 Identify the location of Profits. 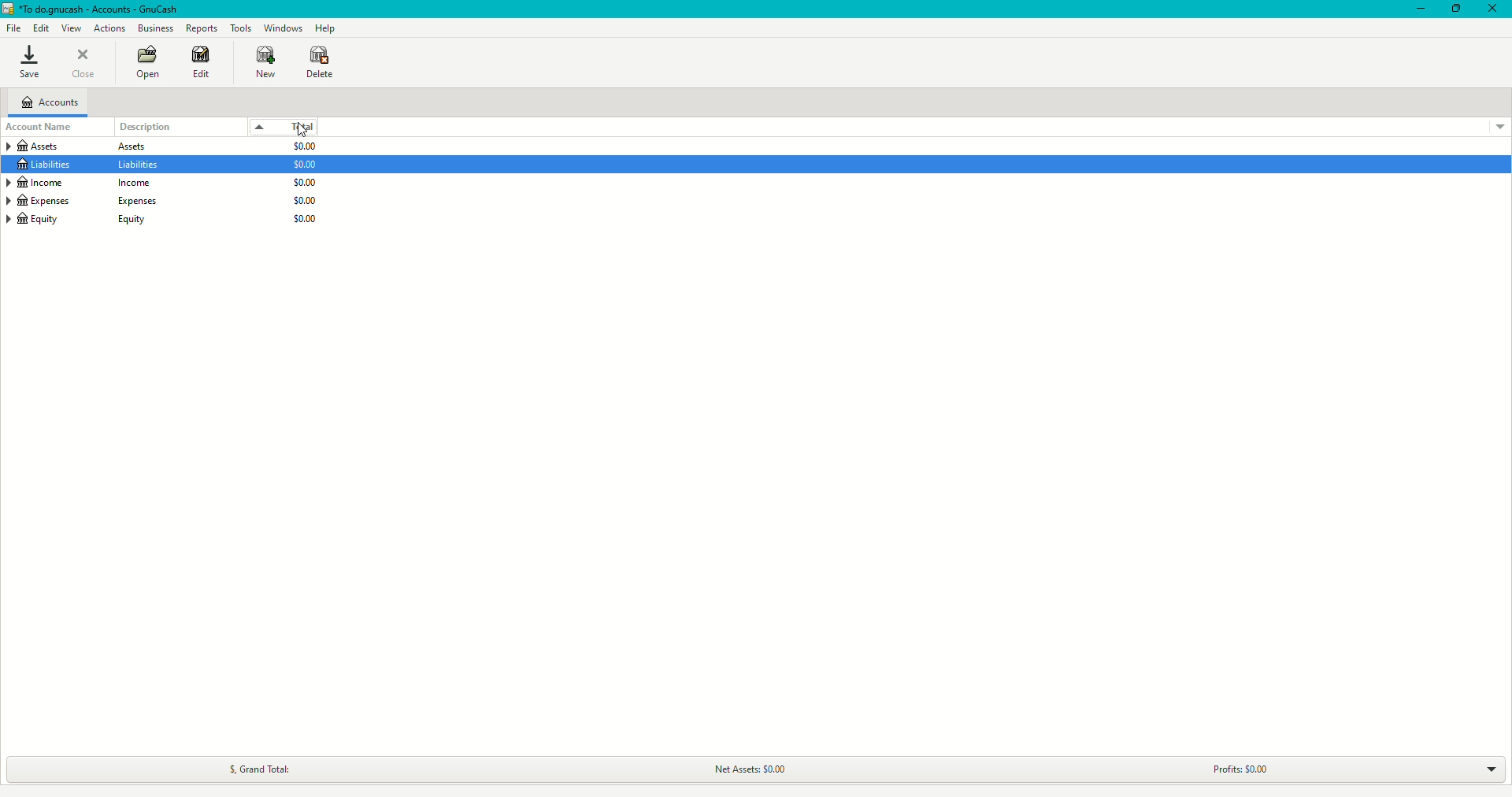
(1240, 766).